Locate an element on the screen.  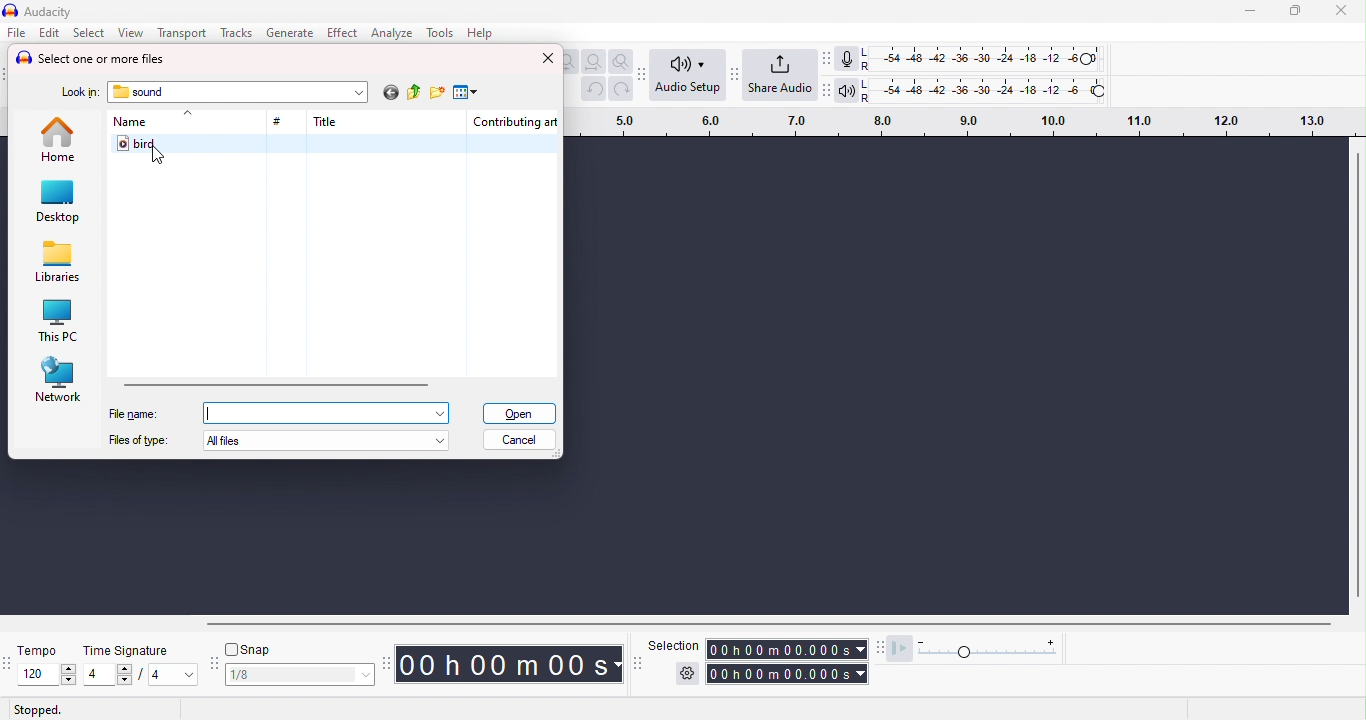
select snap is located at coordinates (302, 675).